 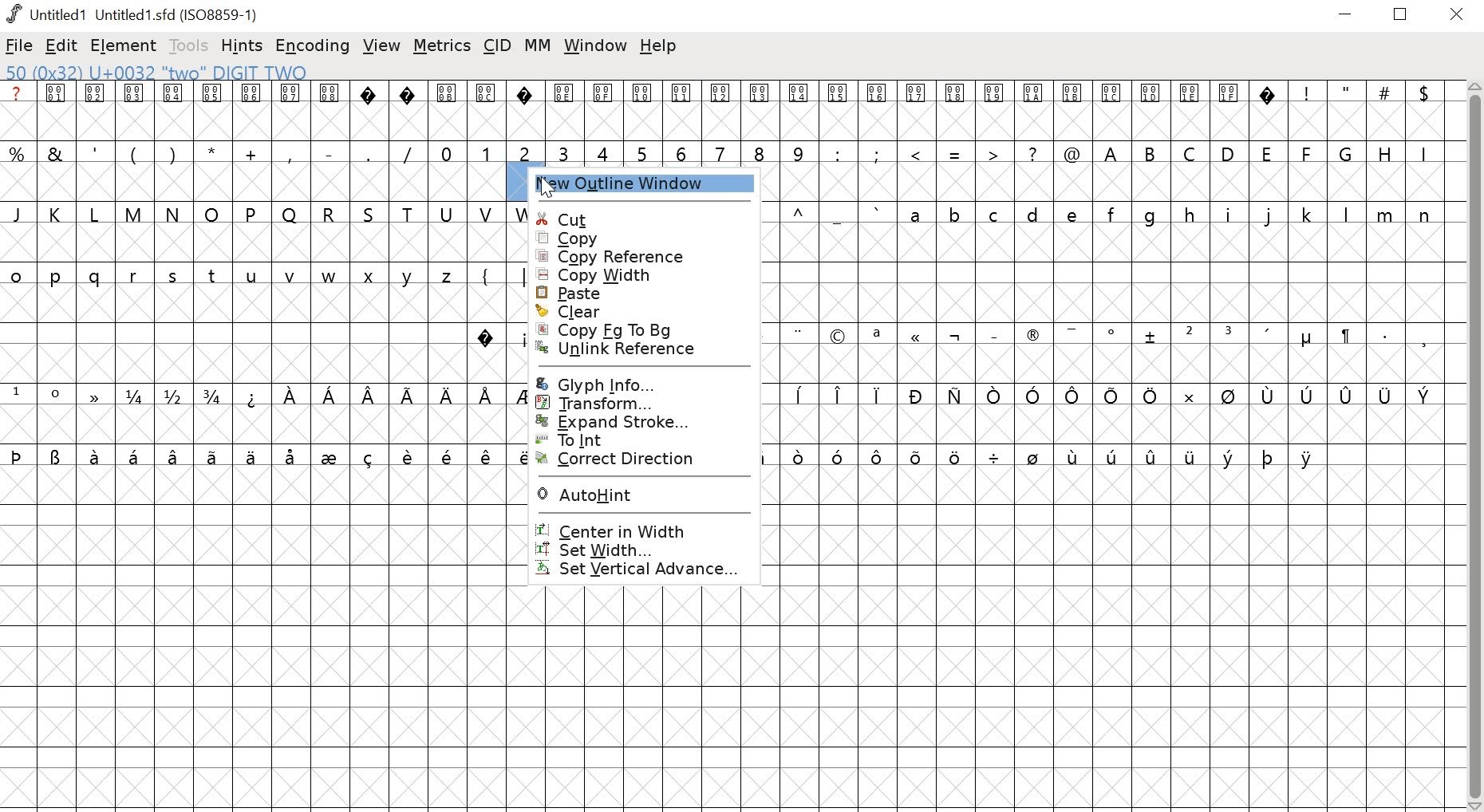 What do you see at coordinates (242, 46) in the screenshot?
I see `hints` at bounding box center [242, 46].